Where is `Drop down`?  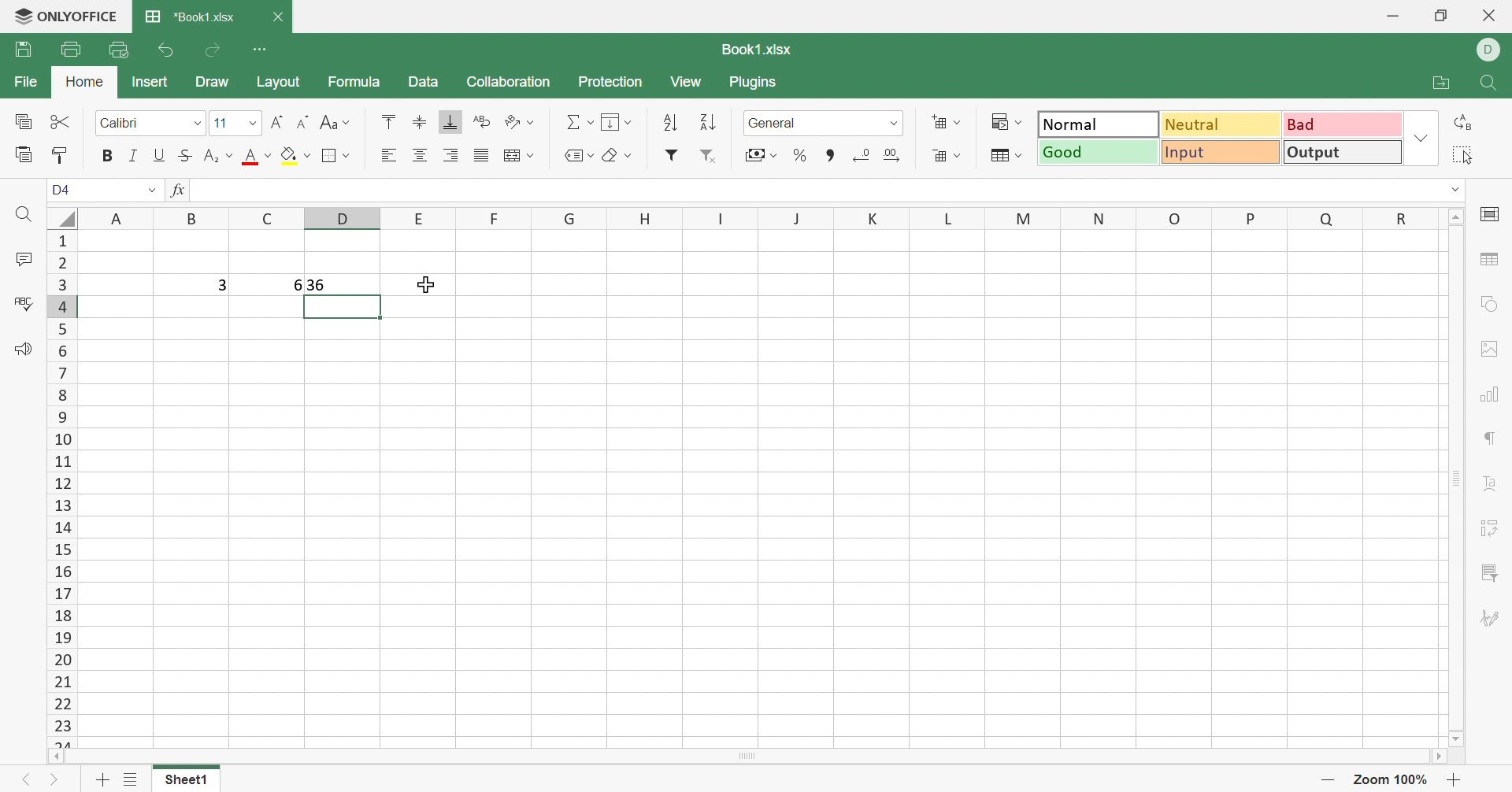
Drop down is located at coordinates (154, 191).